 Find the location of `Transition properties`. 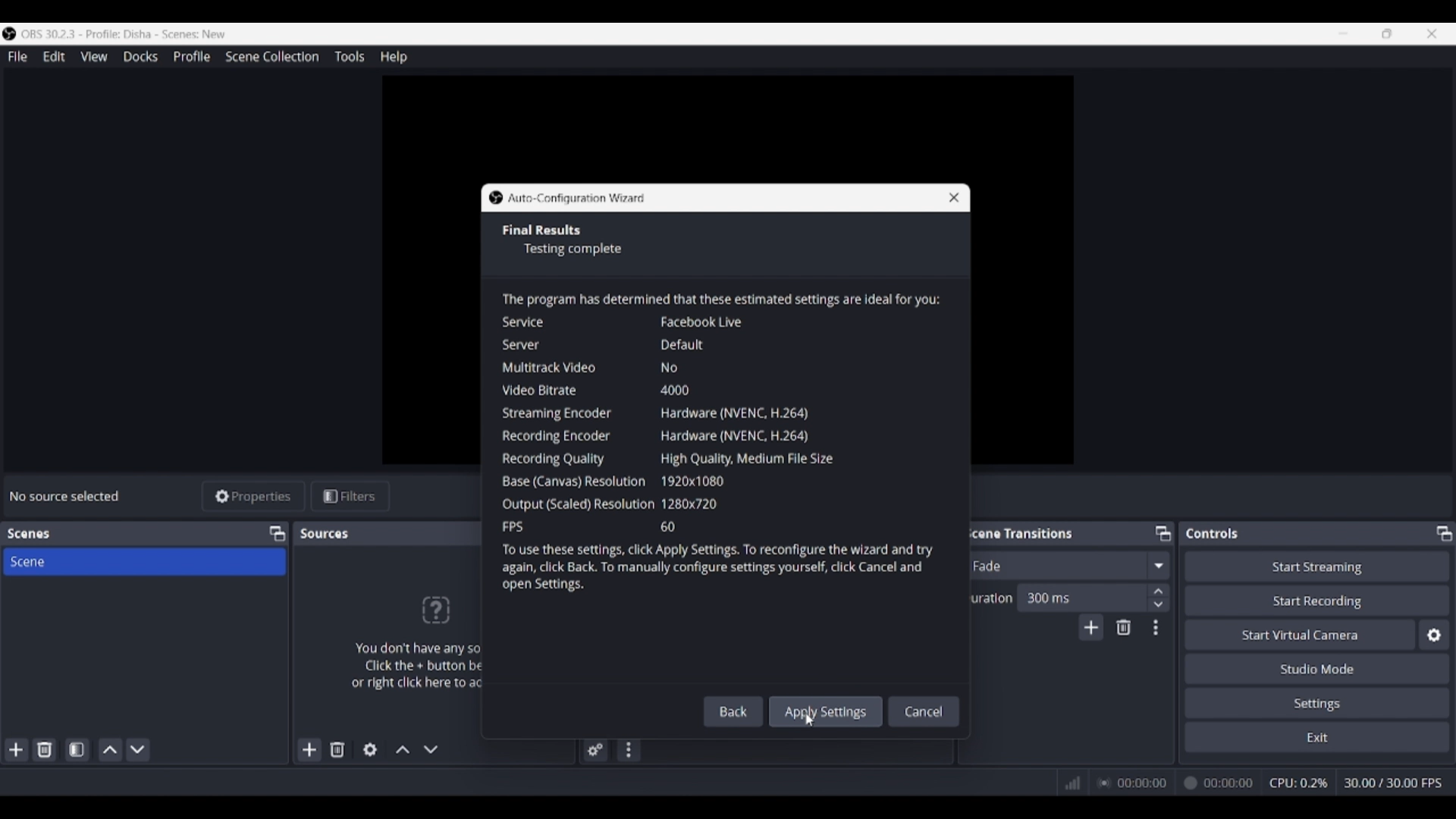

Transition properties is located at coordinates (1156, 628).